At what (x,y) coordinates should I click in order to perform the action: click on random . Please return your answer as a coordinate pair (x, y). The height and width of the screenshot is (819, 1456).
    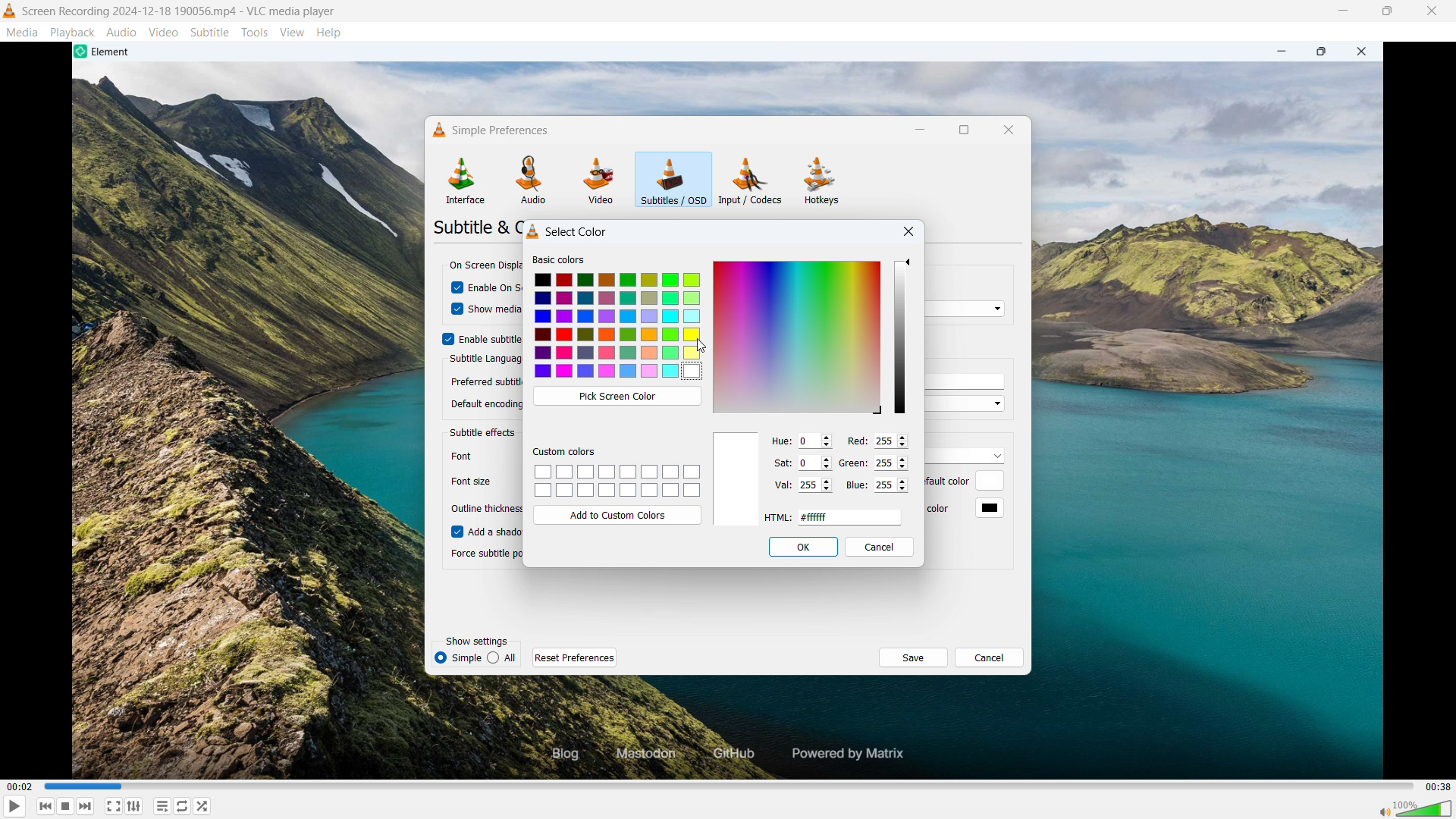
    Looking at the image, I should click on (203, 806).